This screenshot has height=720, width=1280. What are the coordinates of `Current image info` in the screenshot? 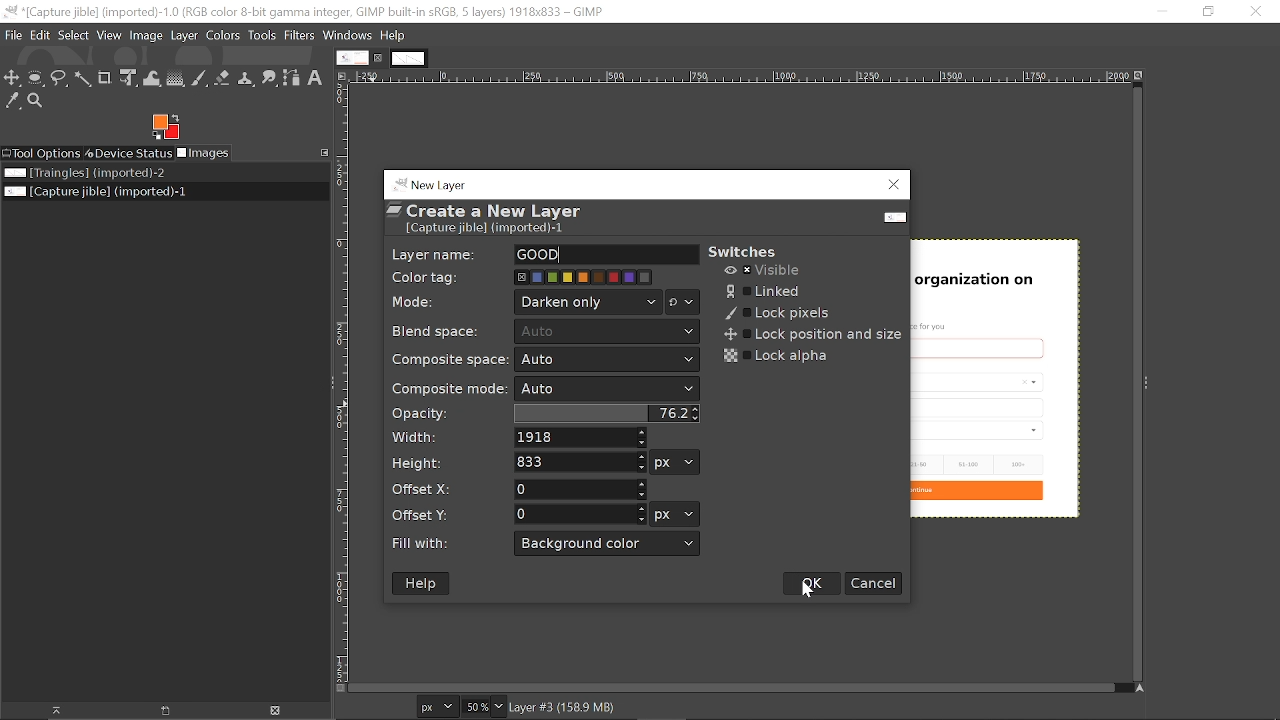 It's located at (564, 708).